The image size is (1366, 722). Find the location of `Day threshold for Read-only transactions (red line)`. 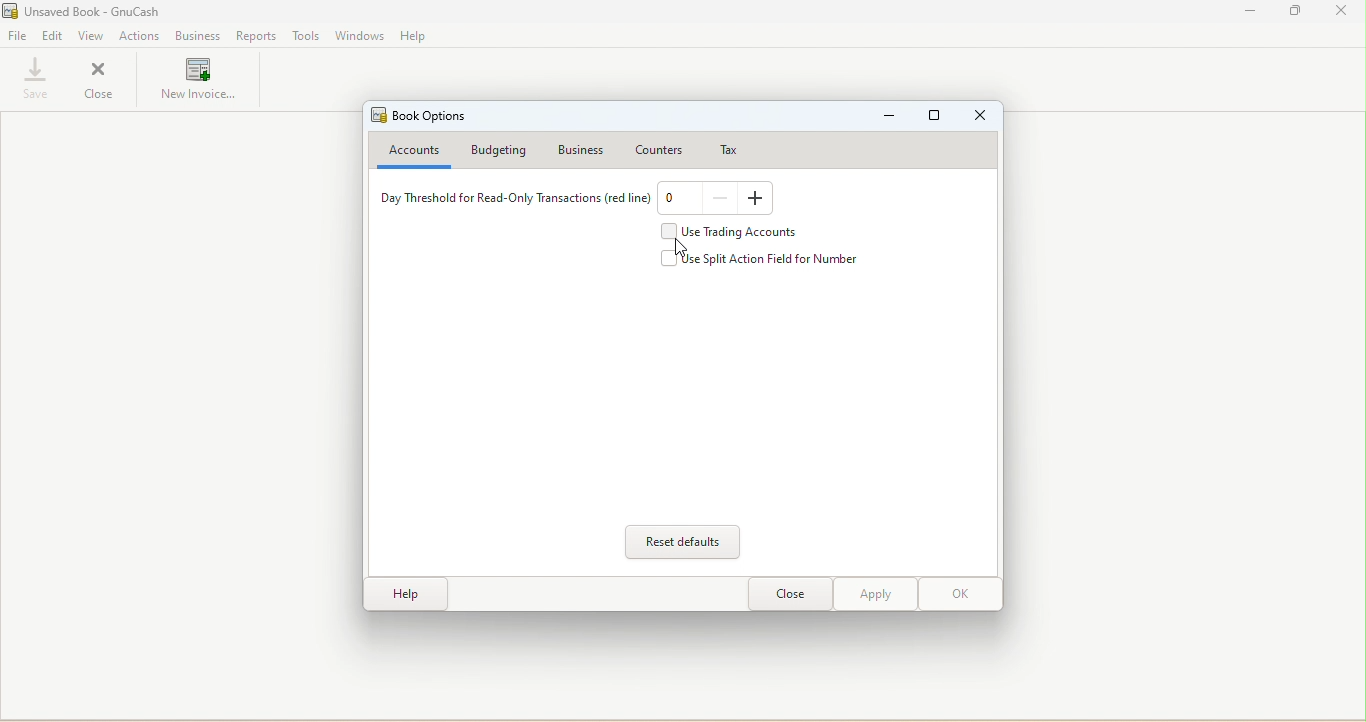

Day threshold for Read-only transactions (red line) is located at coordinates (511, 201).